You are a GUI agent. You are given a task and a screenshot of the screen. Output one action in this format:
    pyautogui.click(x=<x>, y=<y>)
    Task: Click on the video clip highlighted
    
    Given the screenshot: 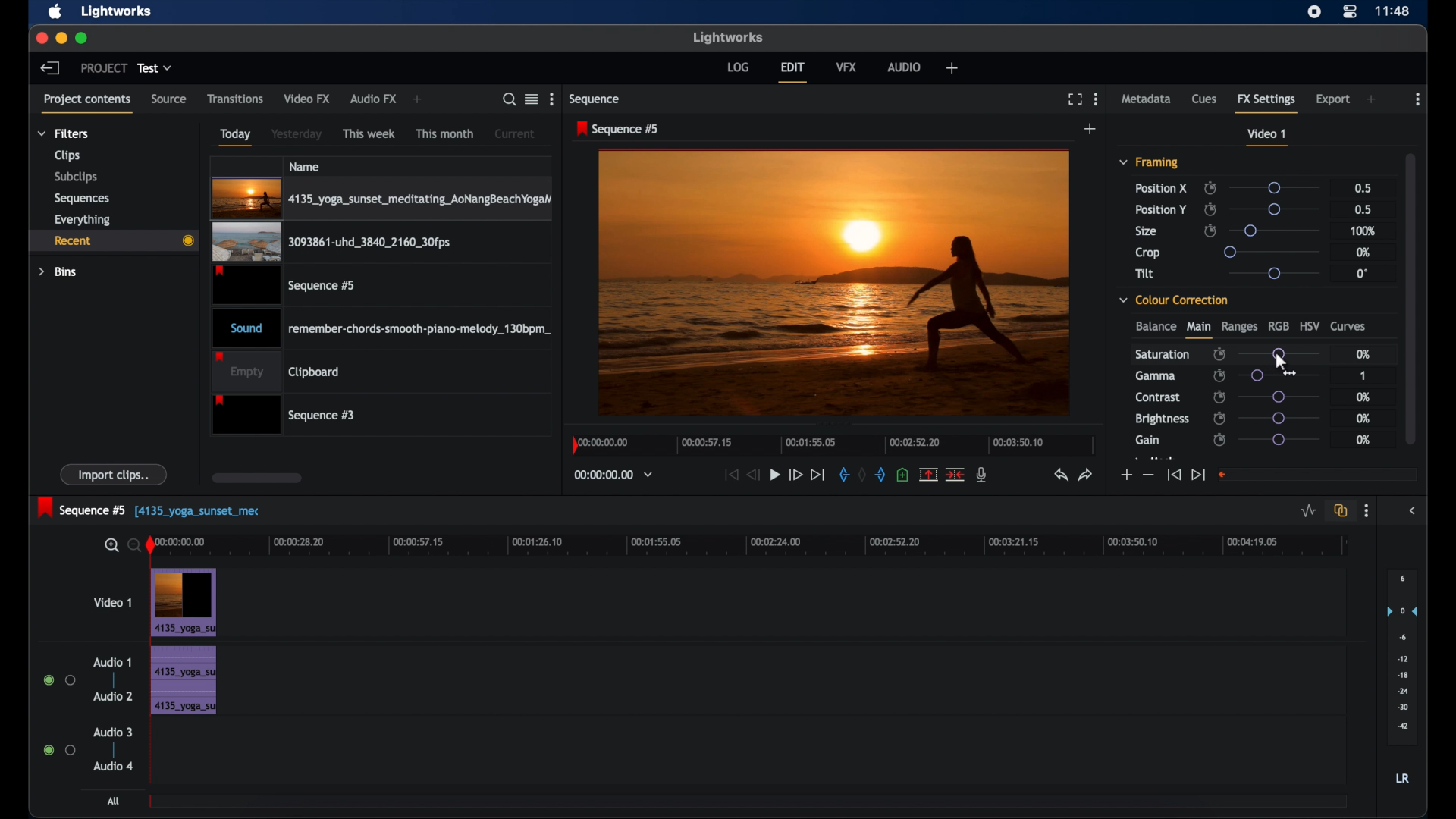 What is the action you would take?
    pyautogui.click(x=381, y=199)
    